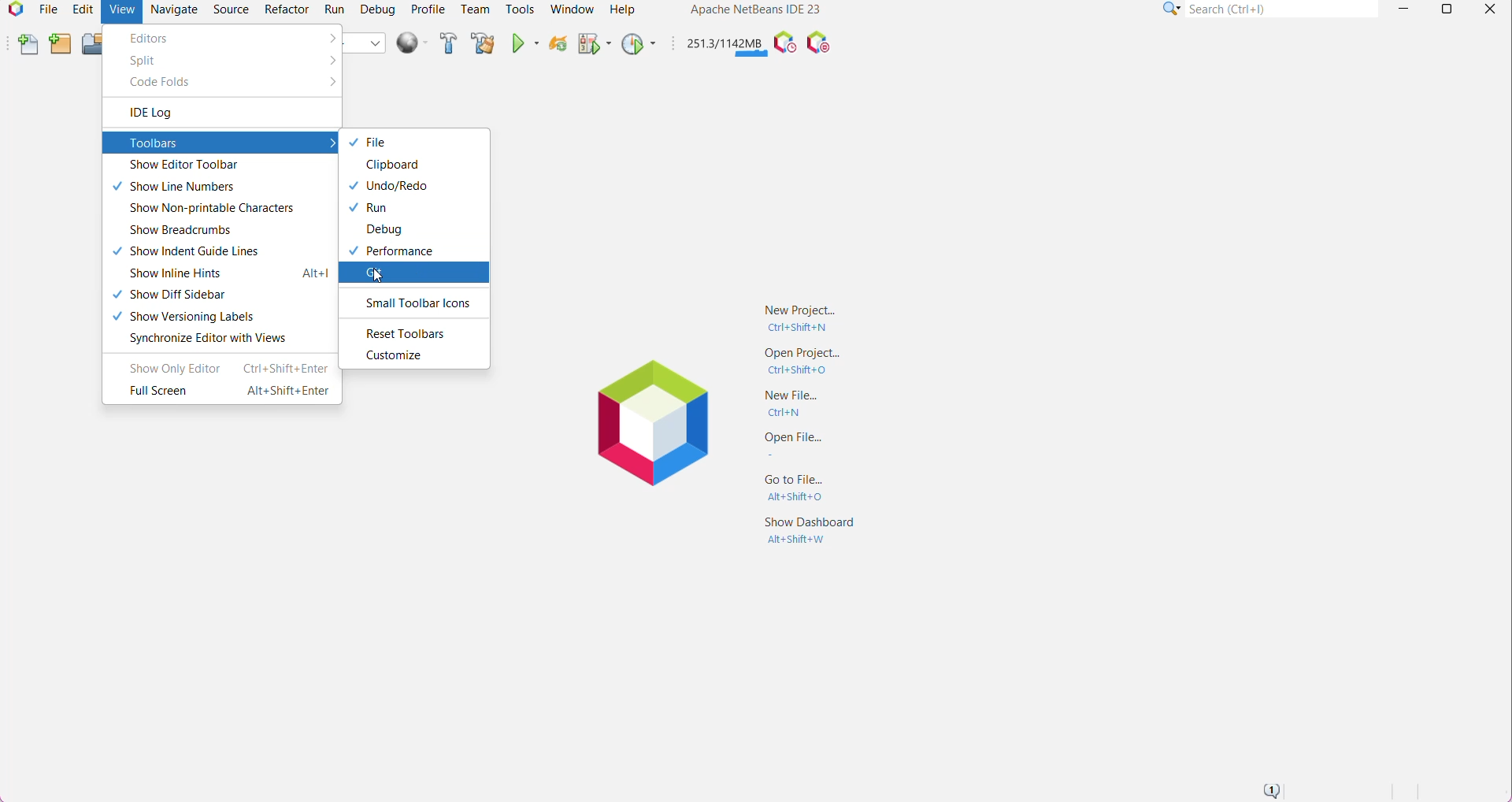  What do you see at coordinates (483, 44) in the screenshot?
I see `Clean and Build Main Project` at bounding box center [483, 44].